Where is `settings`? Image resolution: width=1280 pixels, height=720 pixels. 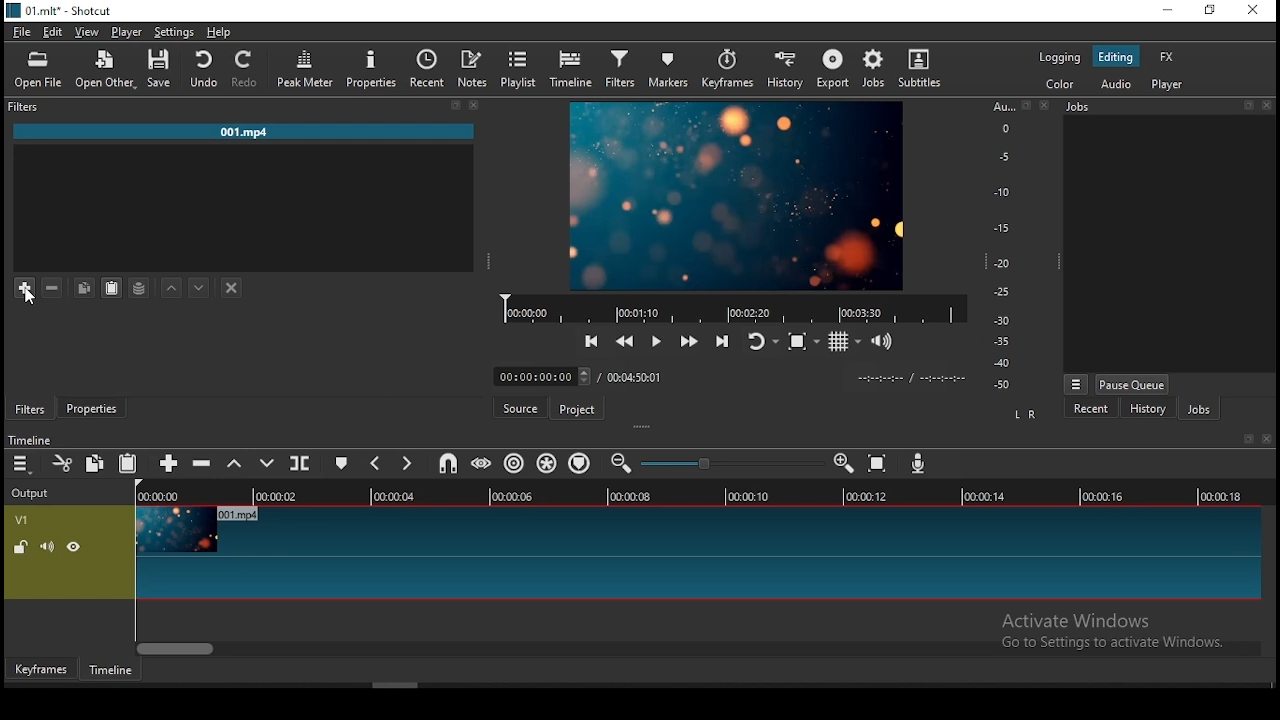 settings is located at coordinates (177, 30).